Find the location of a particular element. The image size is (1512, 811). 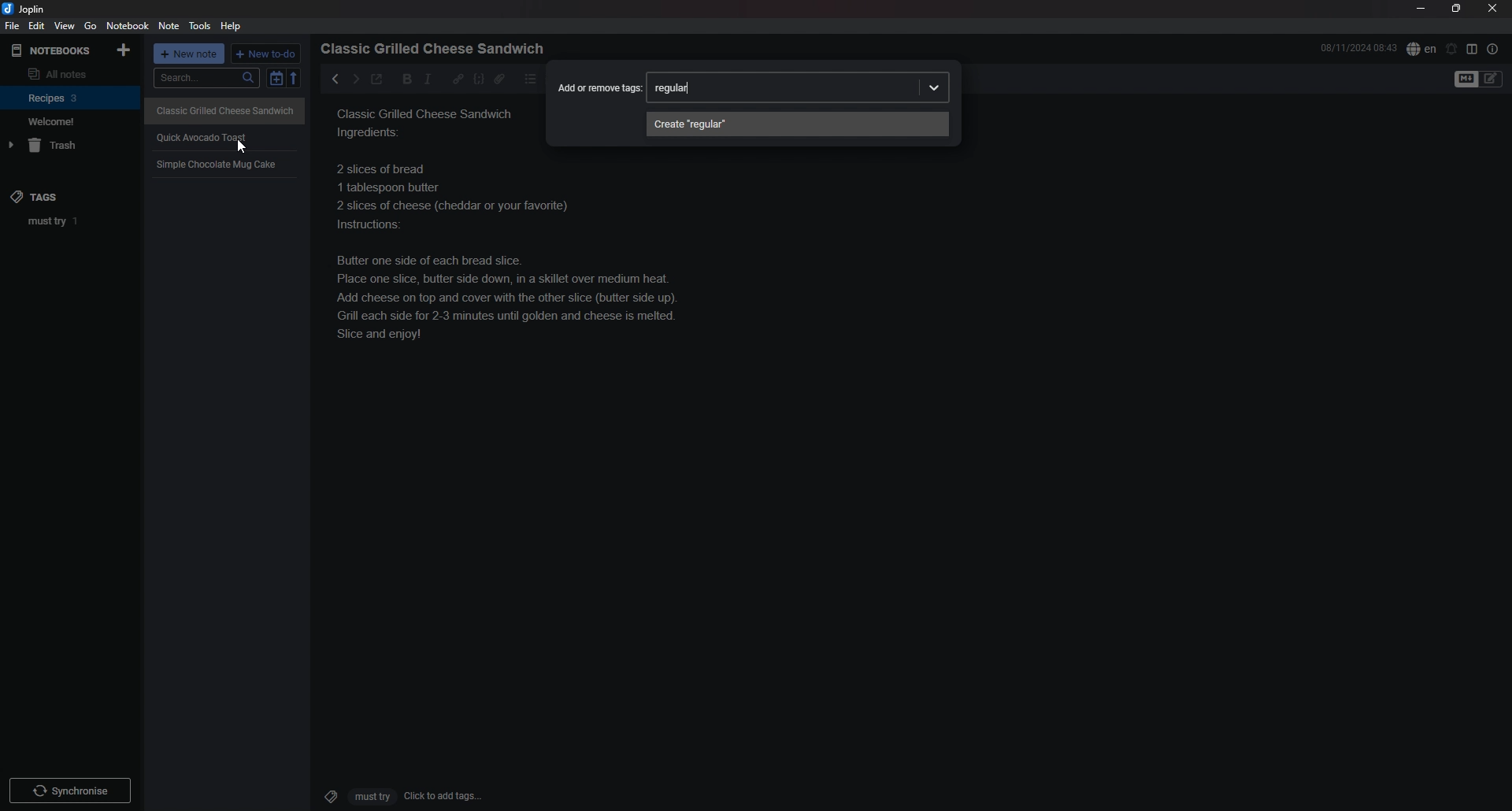

file is located at coordinates (11, 27).